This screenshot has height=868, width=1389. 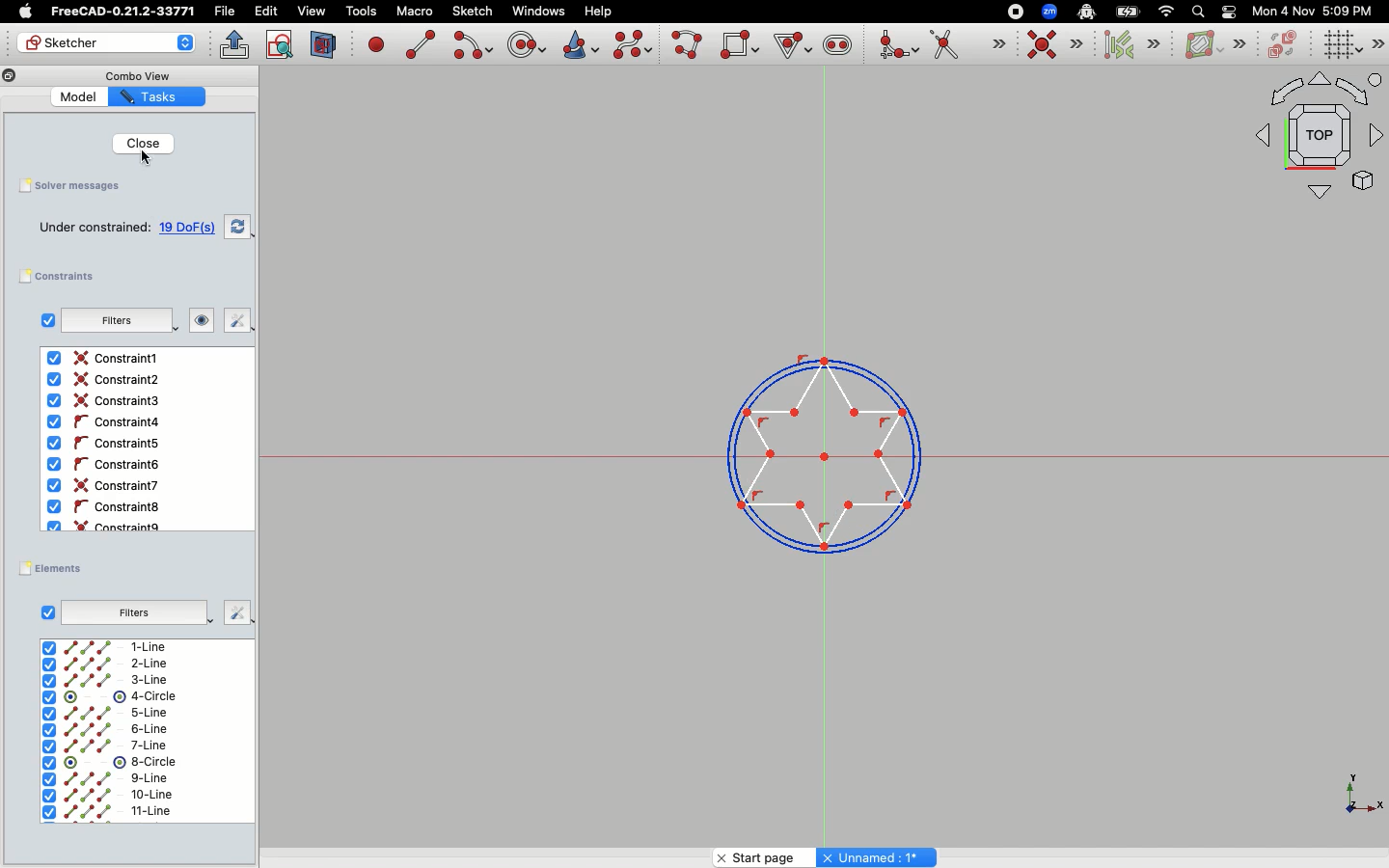 I want to click on Create fillet, so click(x=897, y=46).